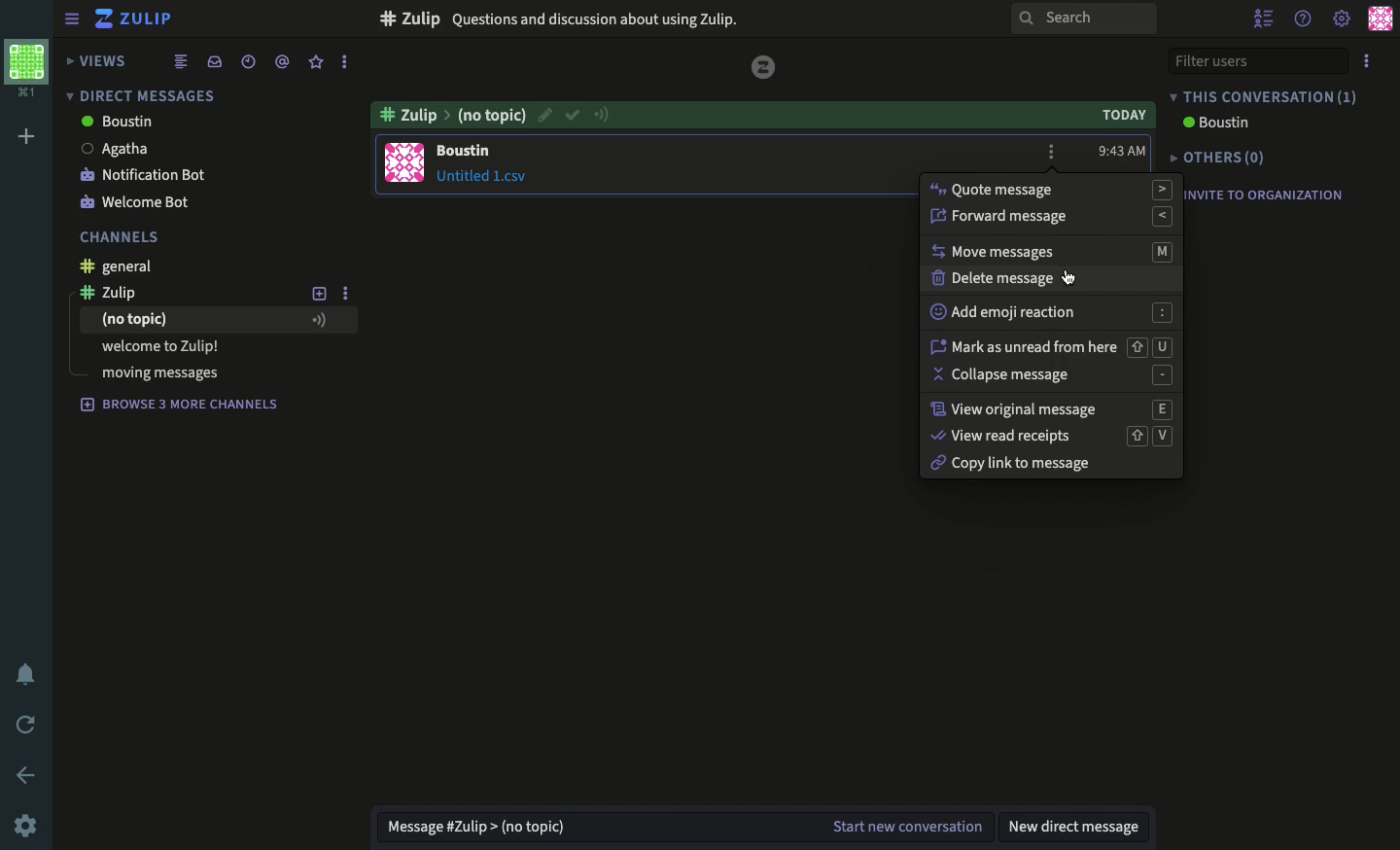  Describe the element at coordinates (1055, 377) in the screenshot. I see `collapse message` at that location.